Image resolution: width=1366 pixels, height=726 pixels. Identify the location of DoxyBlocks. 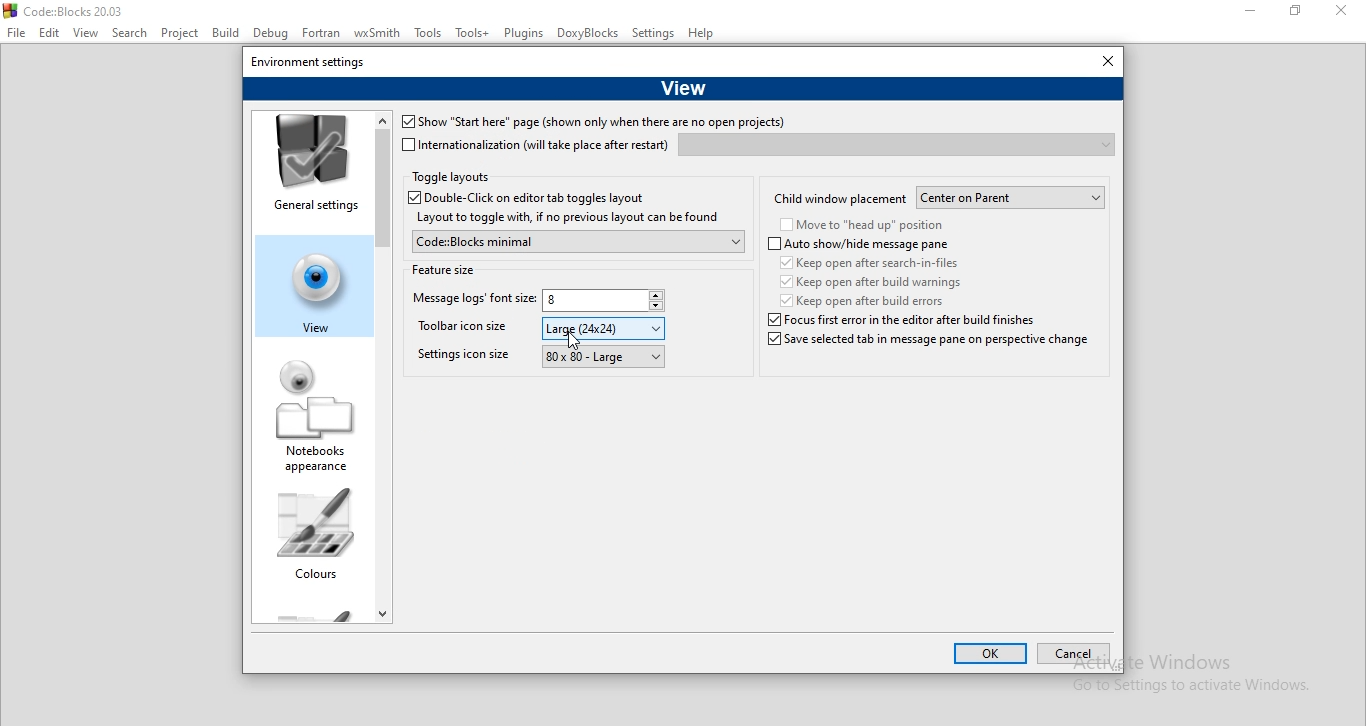
(589, 34).